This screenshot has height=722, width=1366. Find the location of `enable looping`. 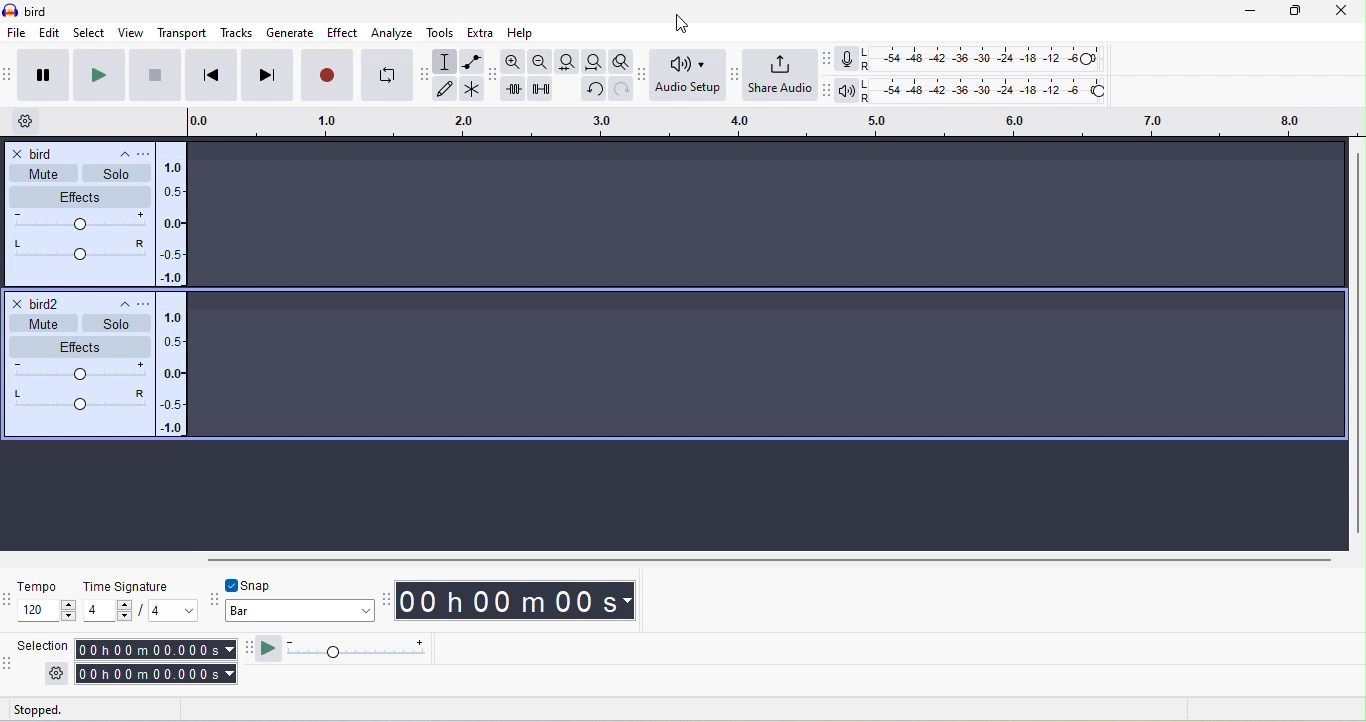

enable looping is located at coordinates (385, 75).